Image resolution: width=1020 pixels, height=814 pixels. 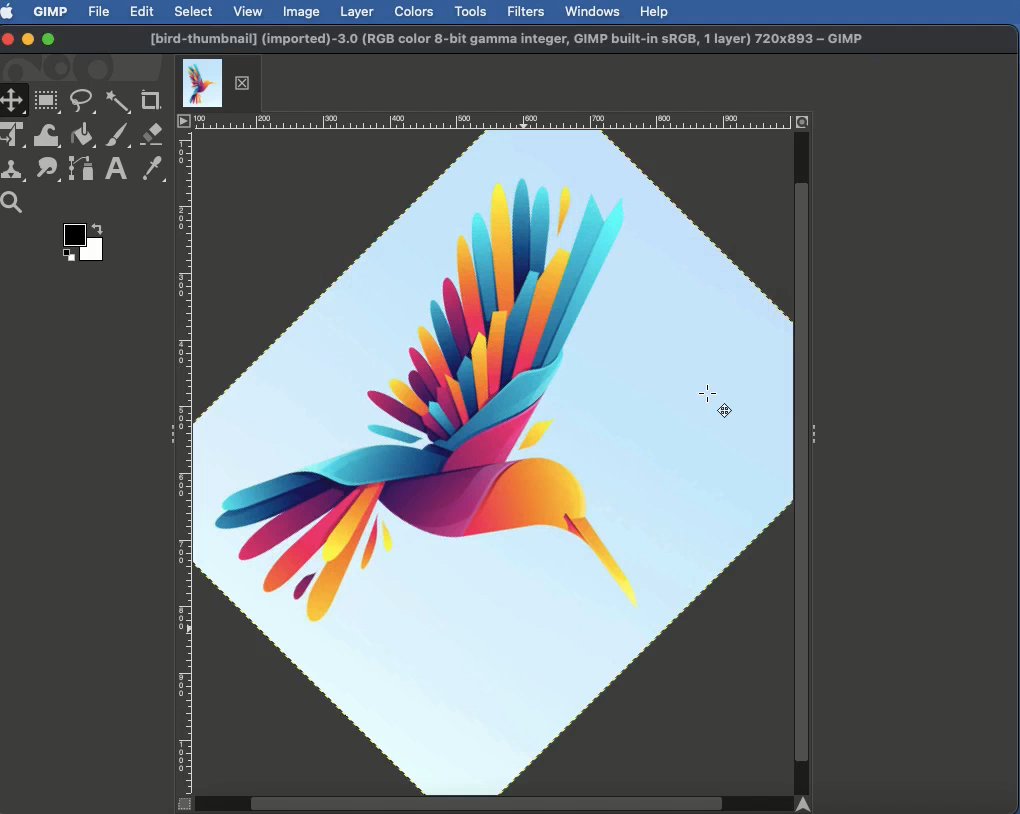 What do you see at coordinates (591, 11) in the screenshot?
I see `Windows` at bounding box center [591, 11].